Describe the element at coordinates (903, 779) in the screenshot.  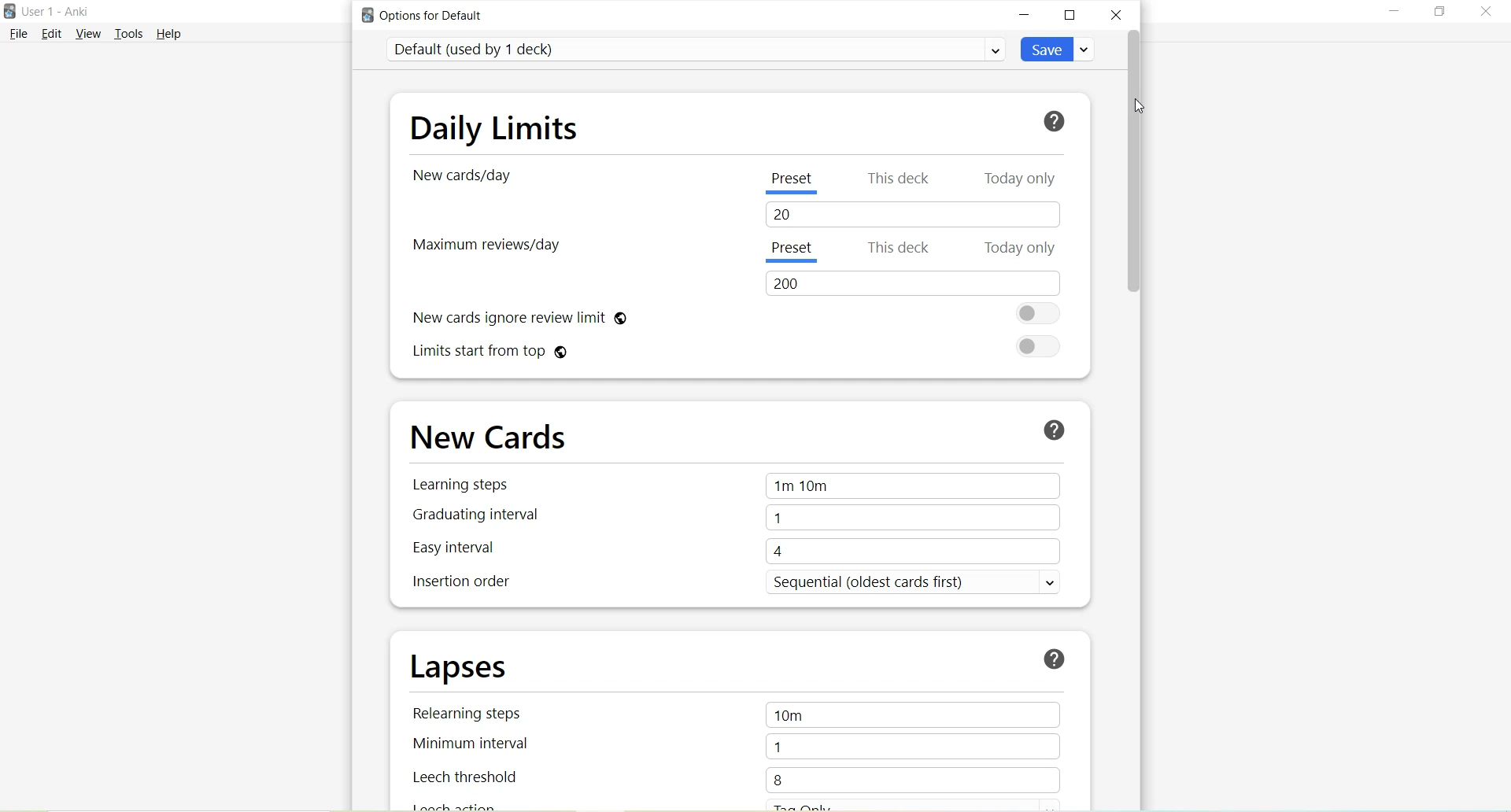
I see `8` at that location.